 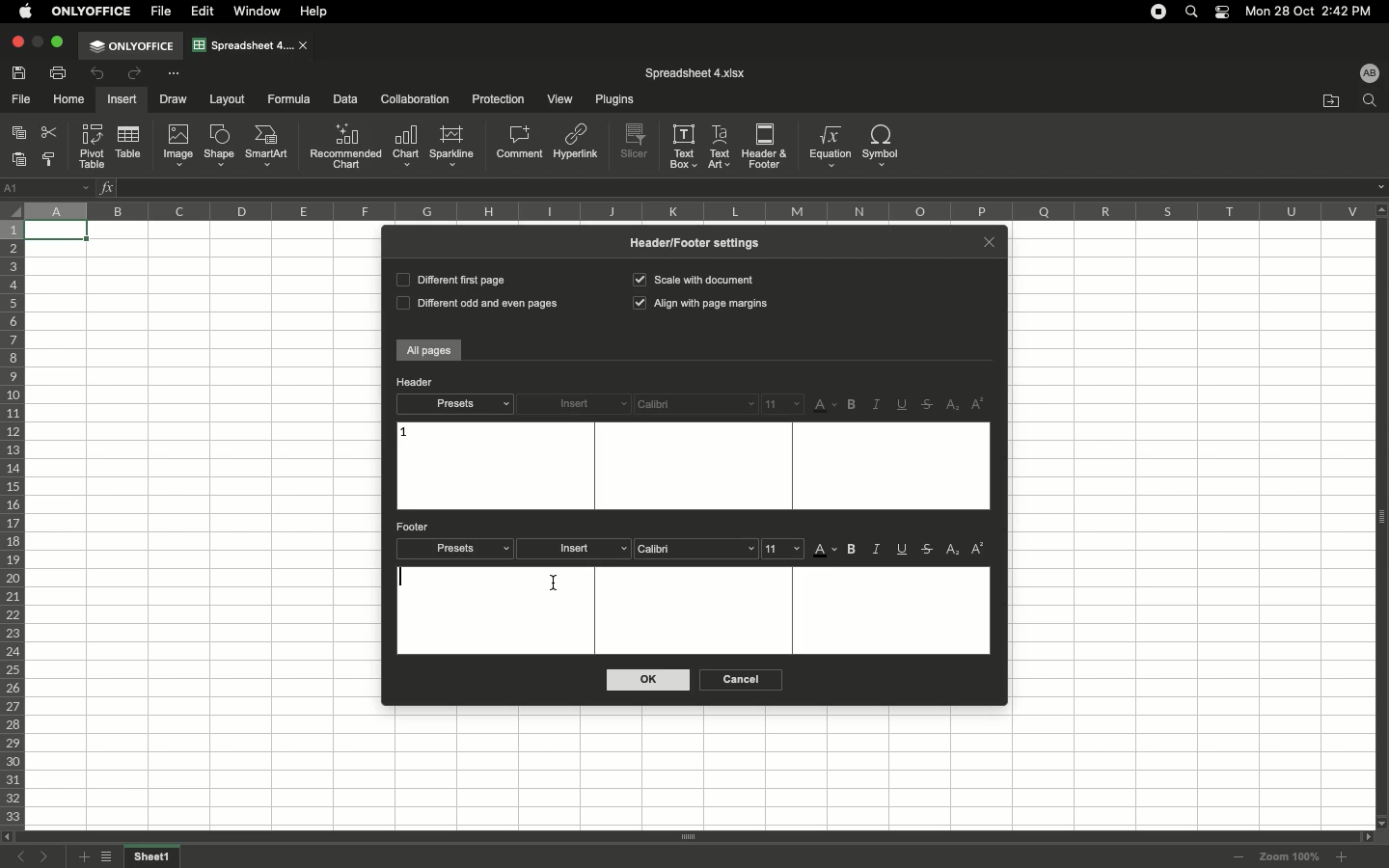 What do you see at coordinates (178, 146) in the screenshot?
I see `Image` at bounding box center [178, 146].